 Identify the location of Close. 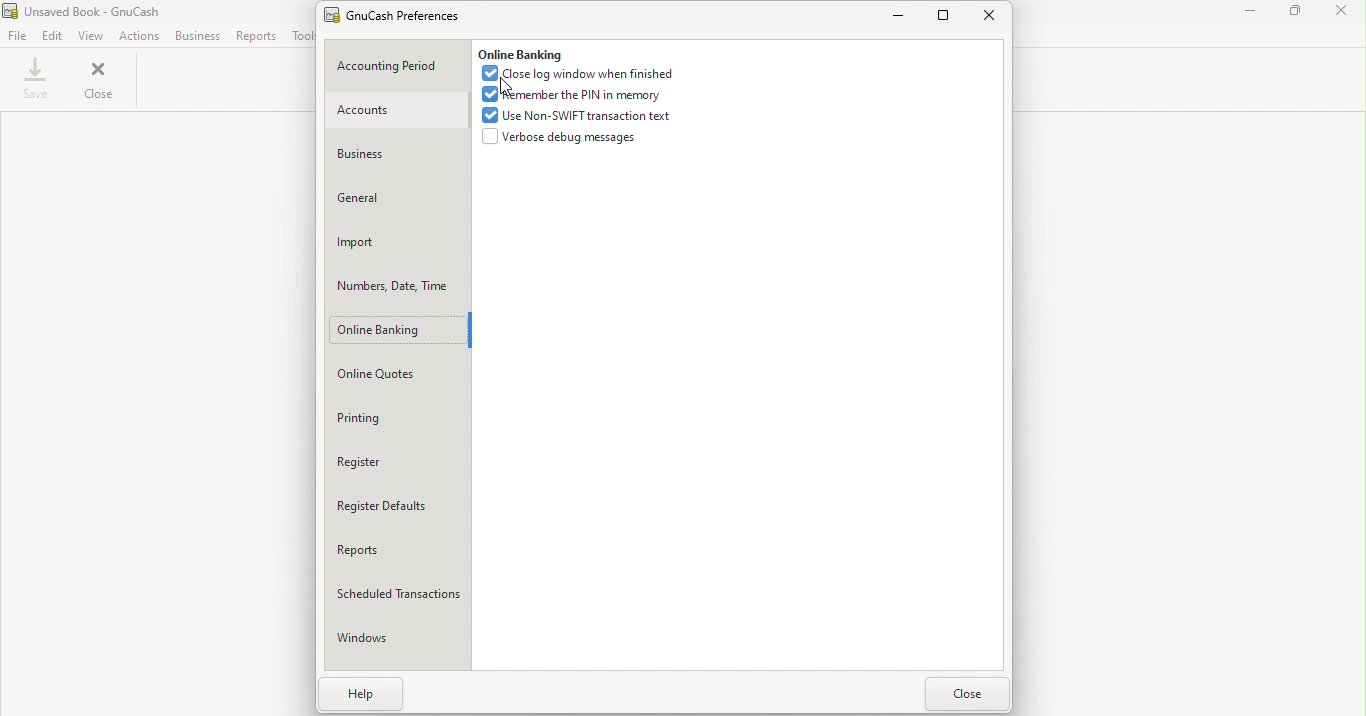
(1342, 14).